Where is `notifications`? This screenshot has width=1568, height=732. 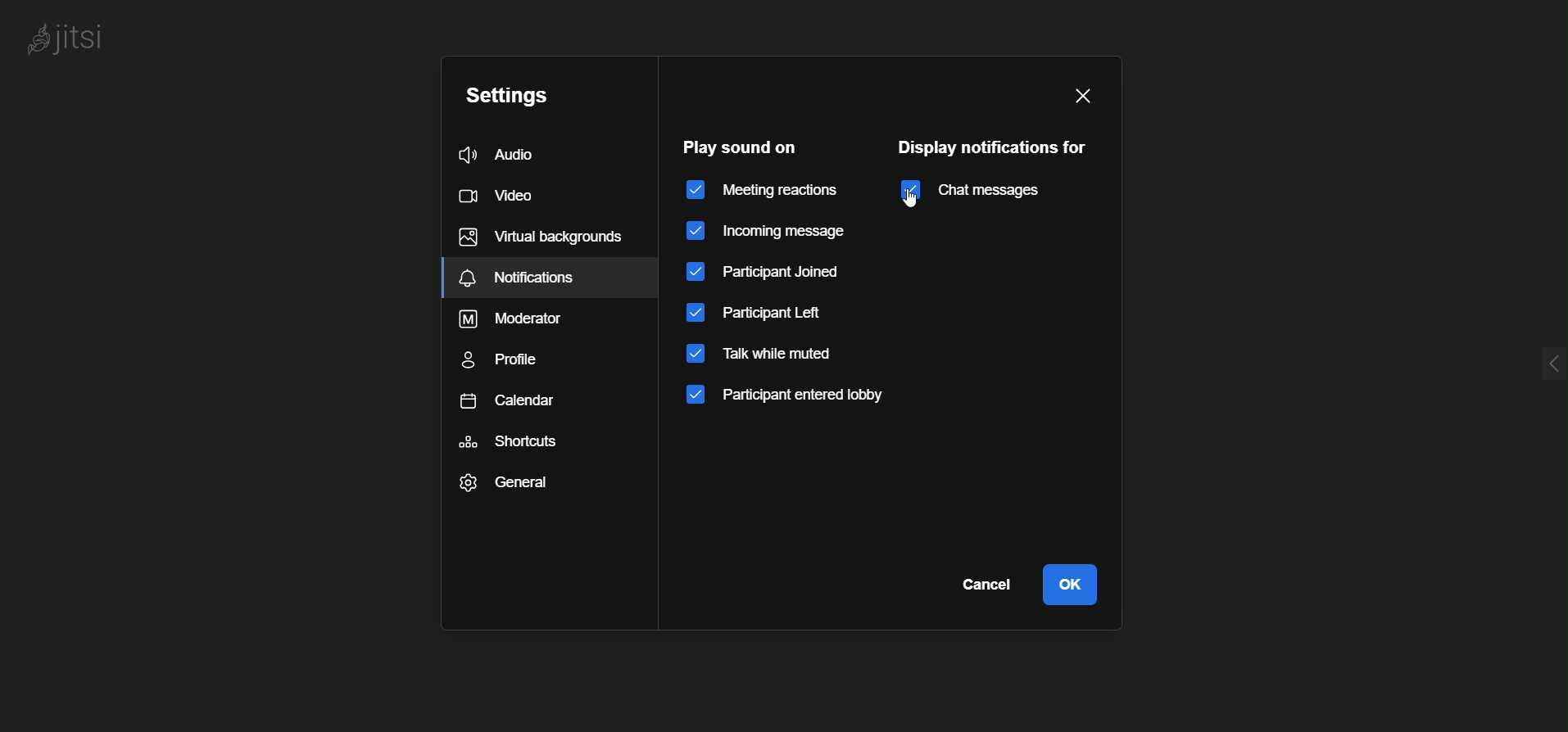 notifications is located at coordinates (553, 276).